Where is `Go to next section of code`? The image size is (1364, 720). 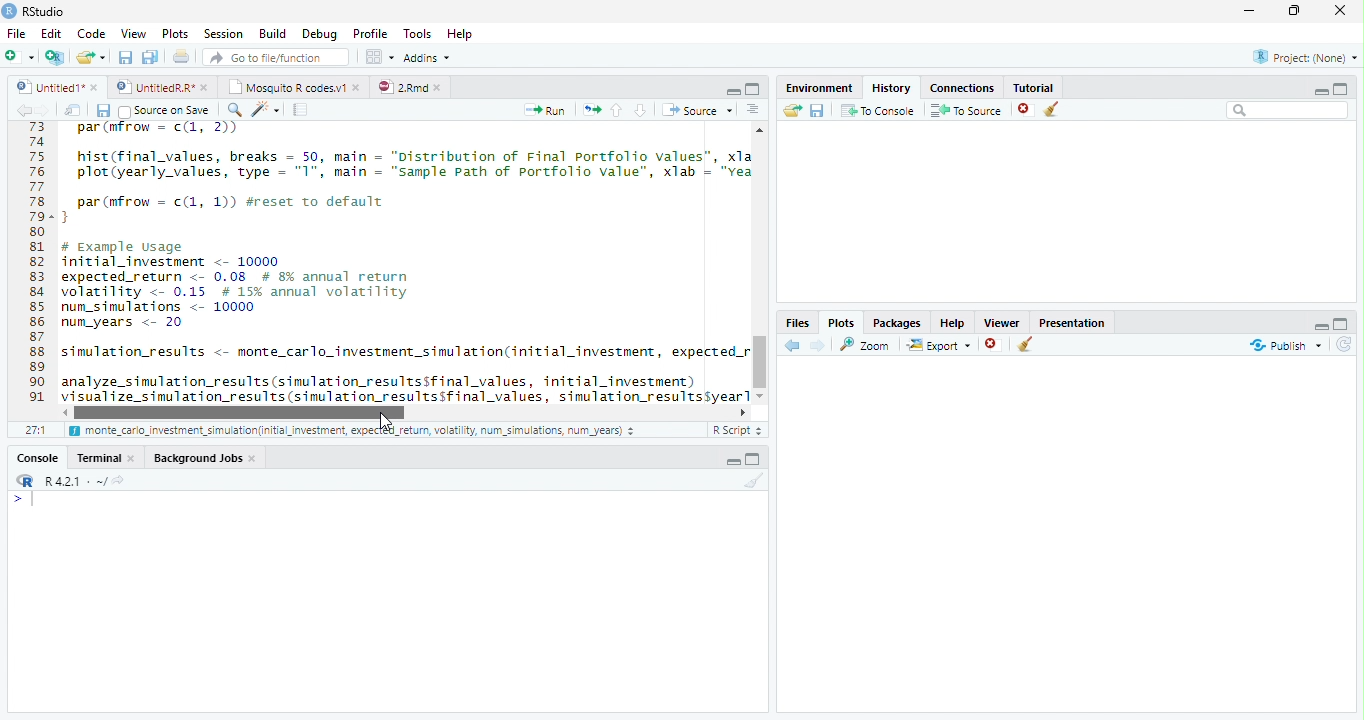
Go to next section of code is located at coordinates (642, 111).